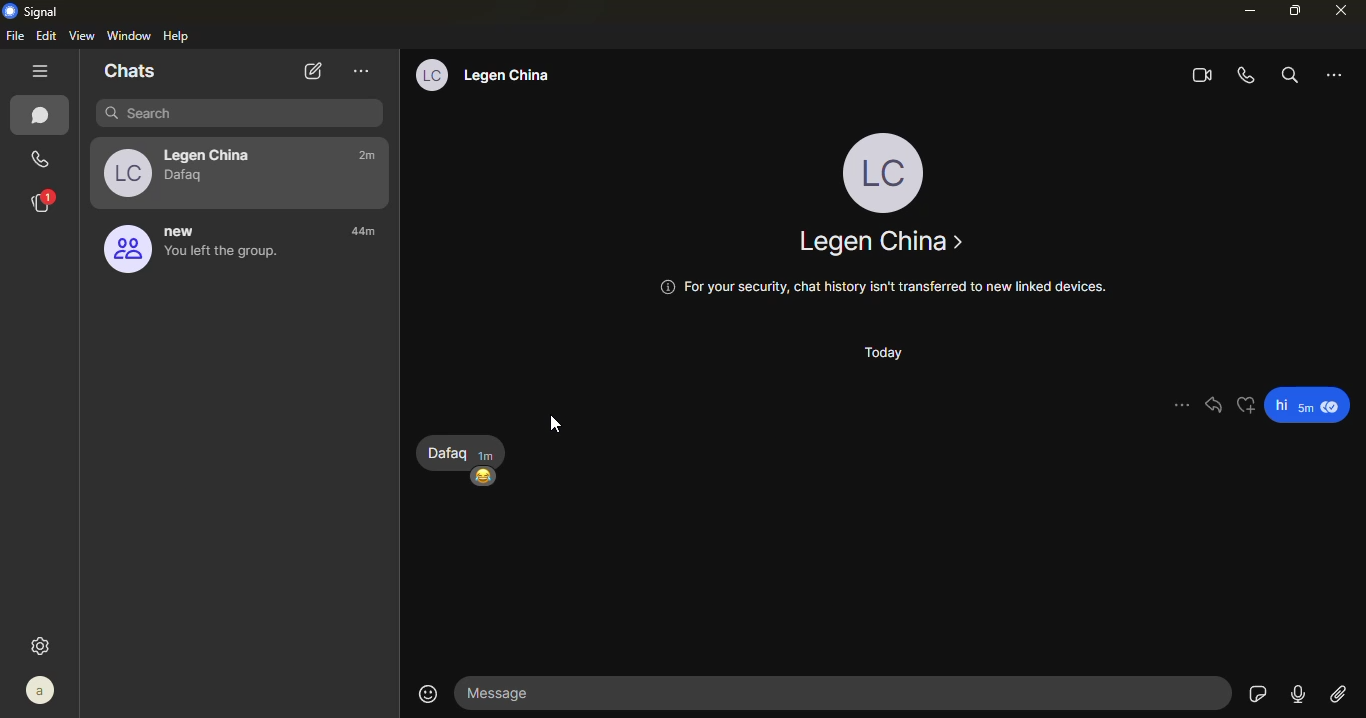 Image resolution: width=1366 pixels, height=718 pixels. Describe the element at coordinates (1180, 405) in the screenshot. I see `more` at that location.